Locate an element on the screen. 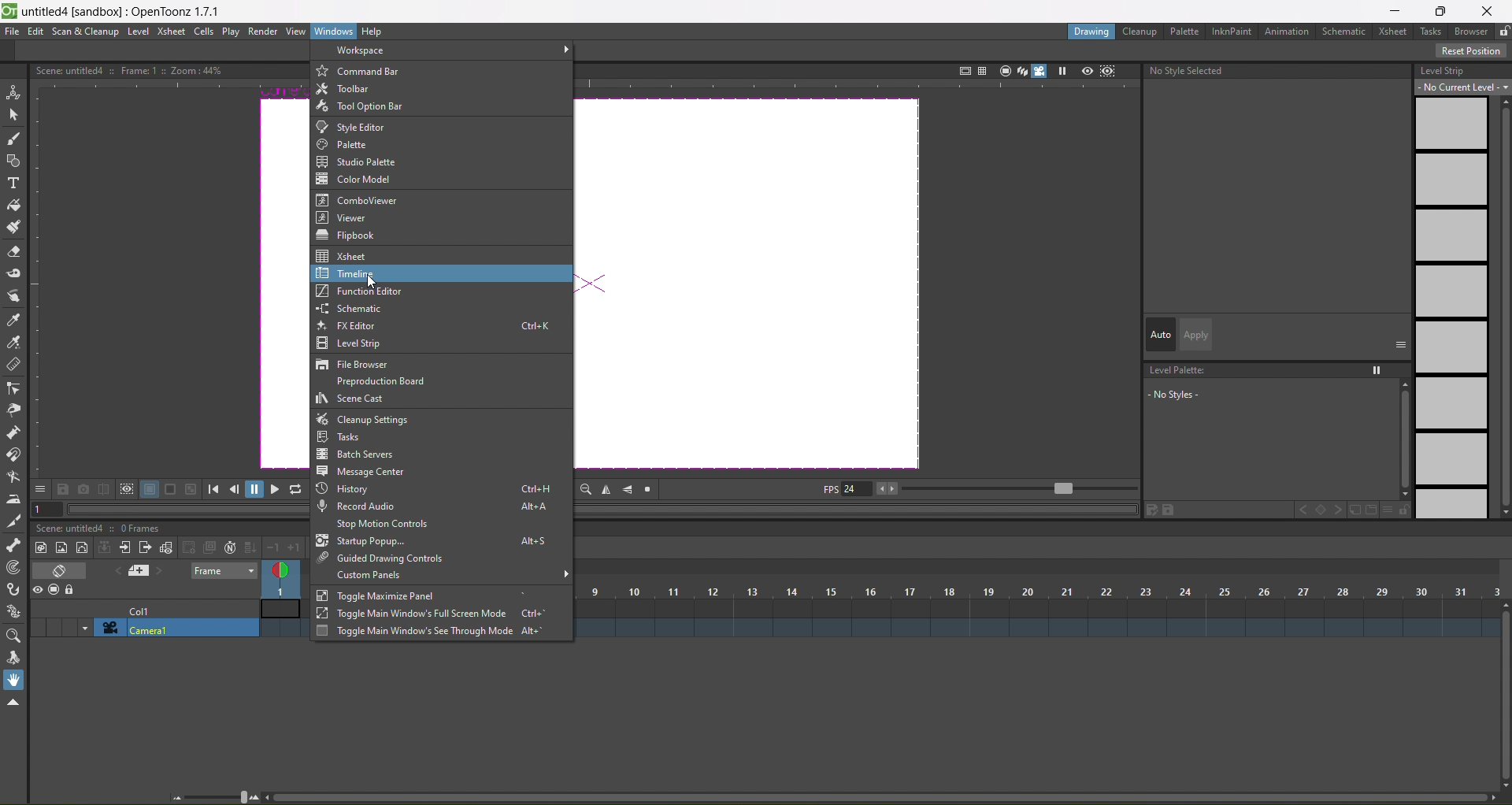  image is located at coordinates (752, 287).